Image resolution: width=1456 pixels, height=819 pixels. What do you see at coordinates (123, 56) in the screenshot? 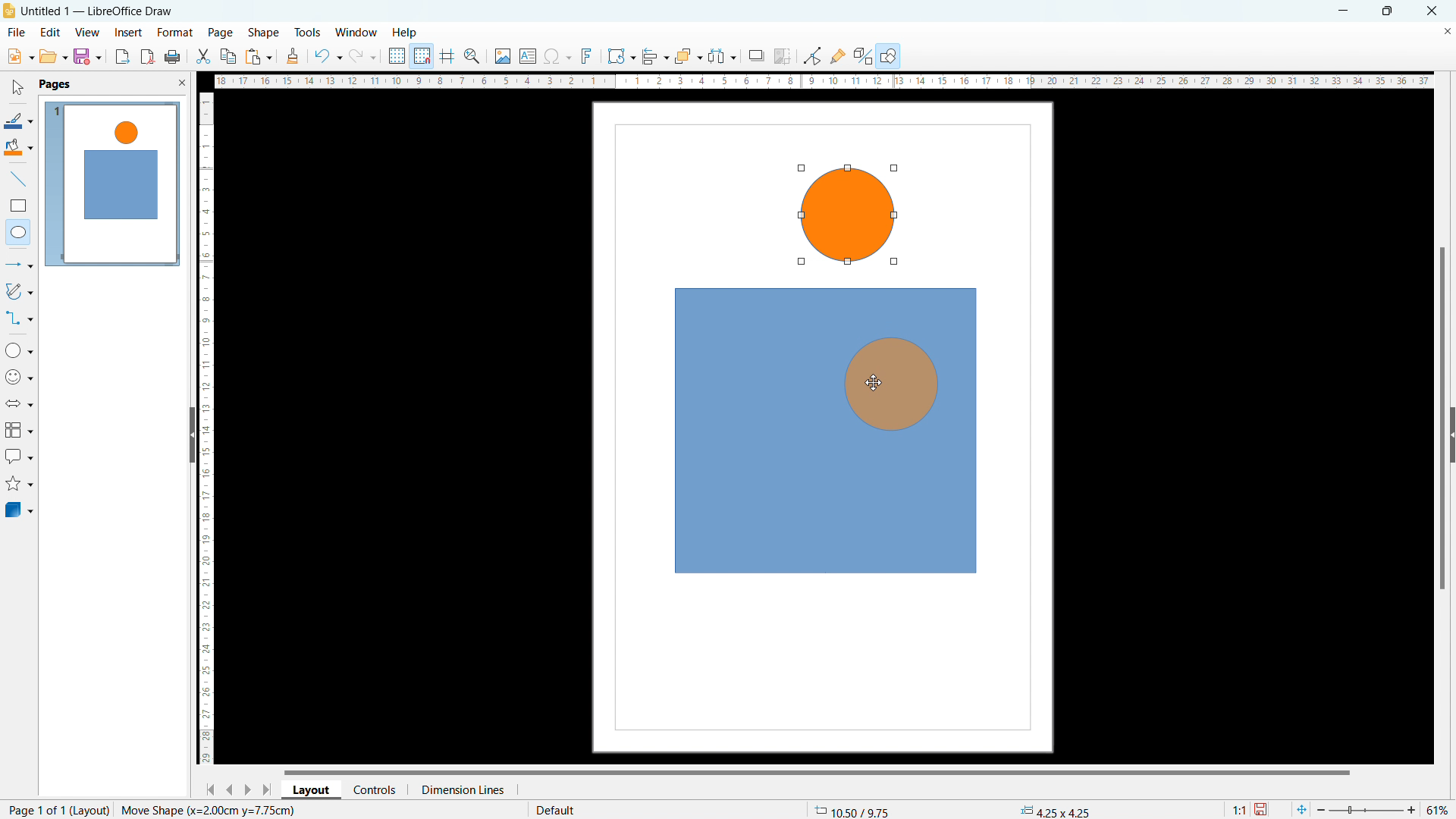
I see `export` at bounding box center [123, 56].